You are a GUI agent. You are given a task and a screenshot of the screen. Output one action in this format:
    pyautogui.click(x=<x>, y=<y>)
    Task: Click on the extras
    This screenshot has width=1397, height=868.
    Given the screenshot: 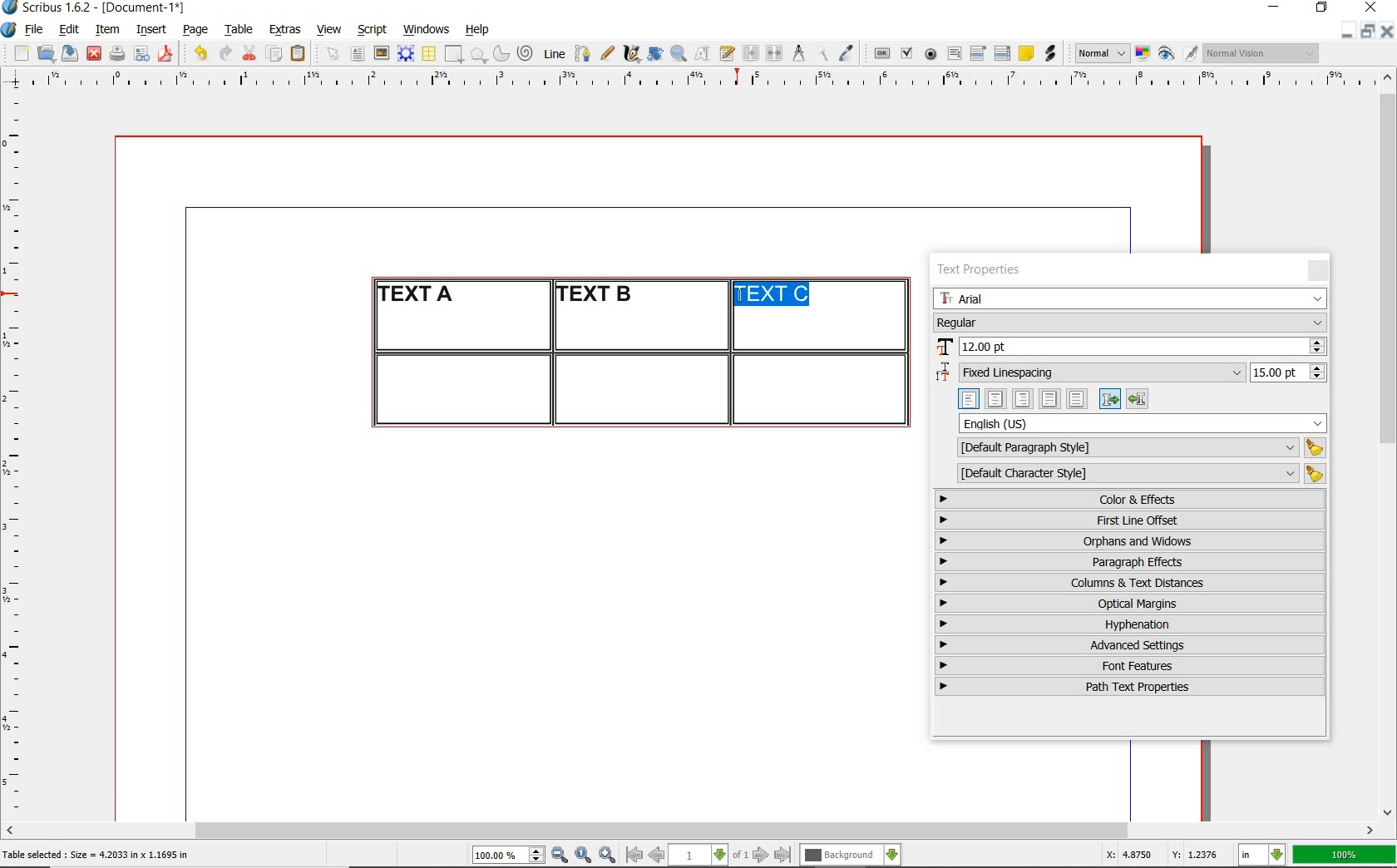 What is the action you would take?
    pyautogui.click(x=285, y=31)
    